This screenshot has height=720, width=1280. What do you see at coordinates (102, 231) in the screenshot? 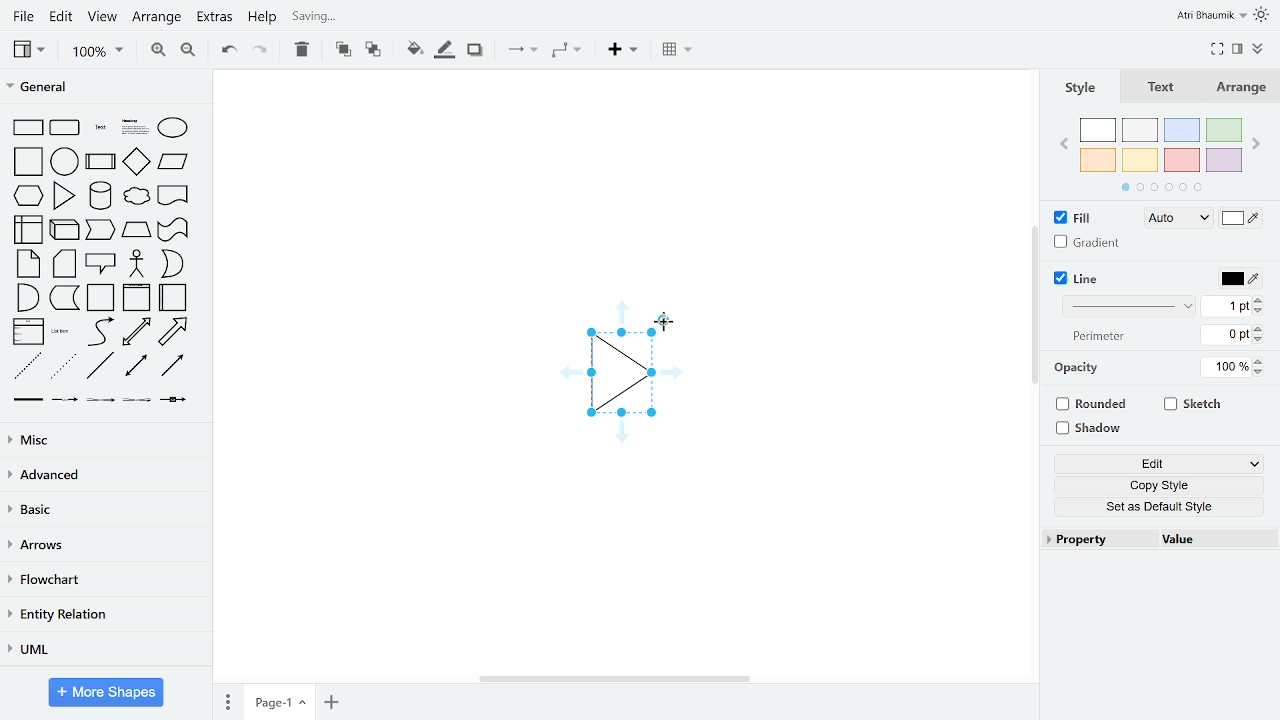
I see `step` at bounding box center [102, 231].